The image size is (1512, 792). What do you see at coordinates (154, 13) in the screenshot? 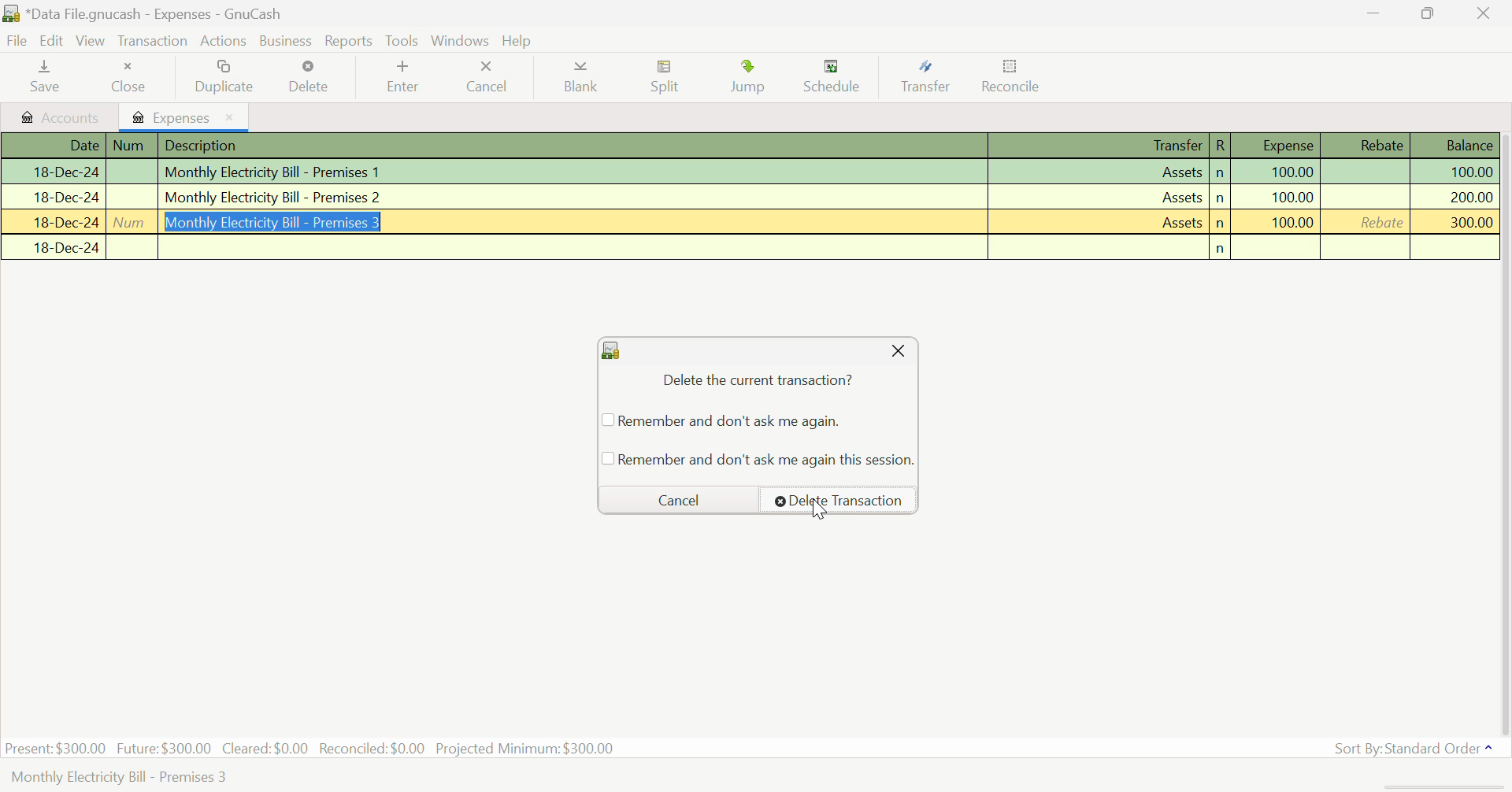
I see `*Data File.gnucash - Expenses - GnuCash` at bounding box center [154, 13].